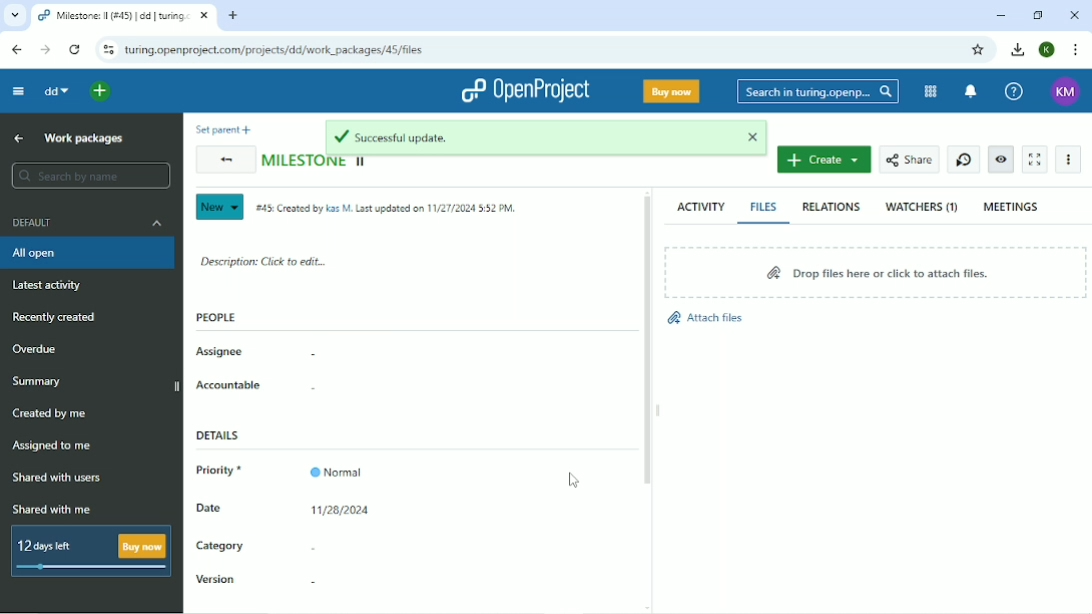 The image size is (1092, 614). What do you see at coordinates (1000, 160) in the screenshot?
I see `Unwatch work package` at bounding box center [1000, 160].